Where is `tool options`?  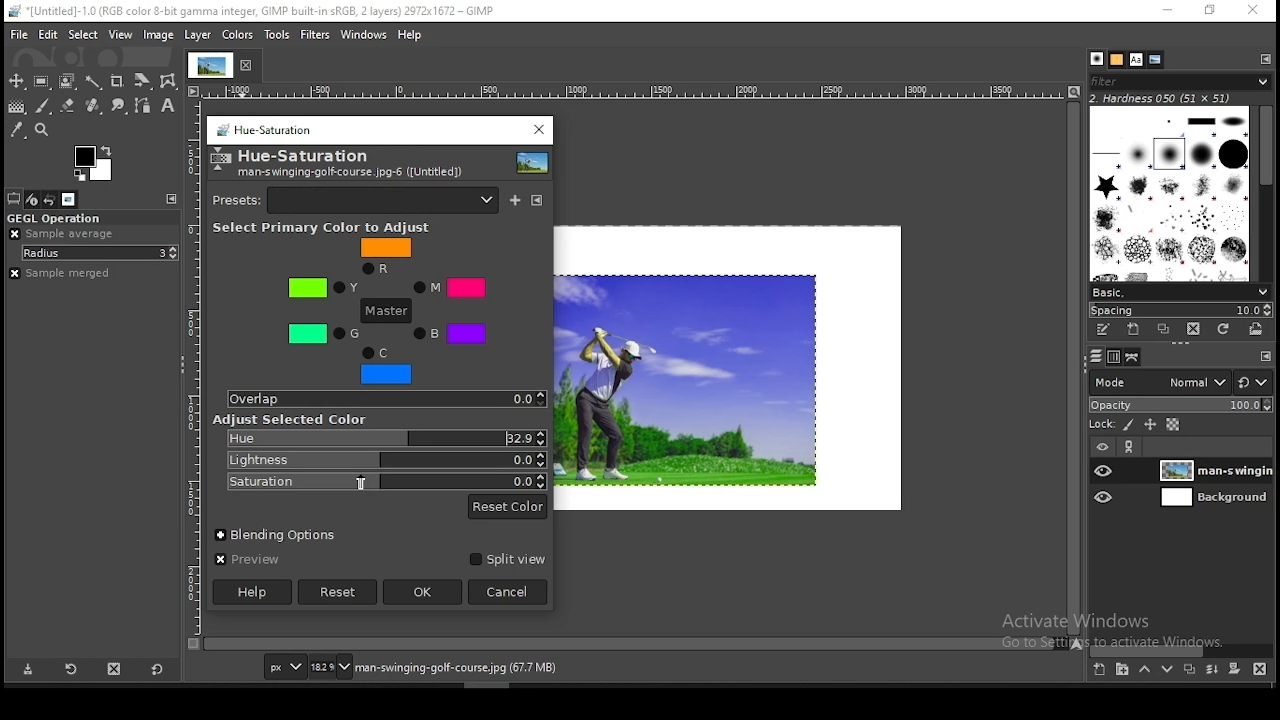
tool options is located at coordinates (15, 198).